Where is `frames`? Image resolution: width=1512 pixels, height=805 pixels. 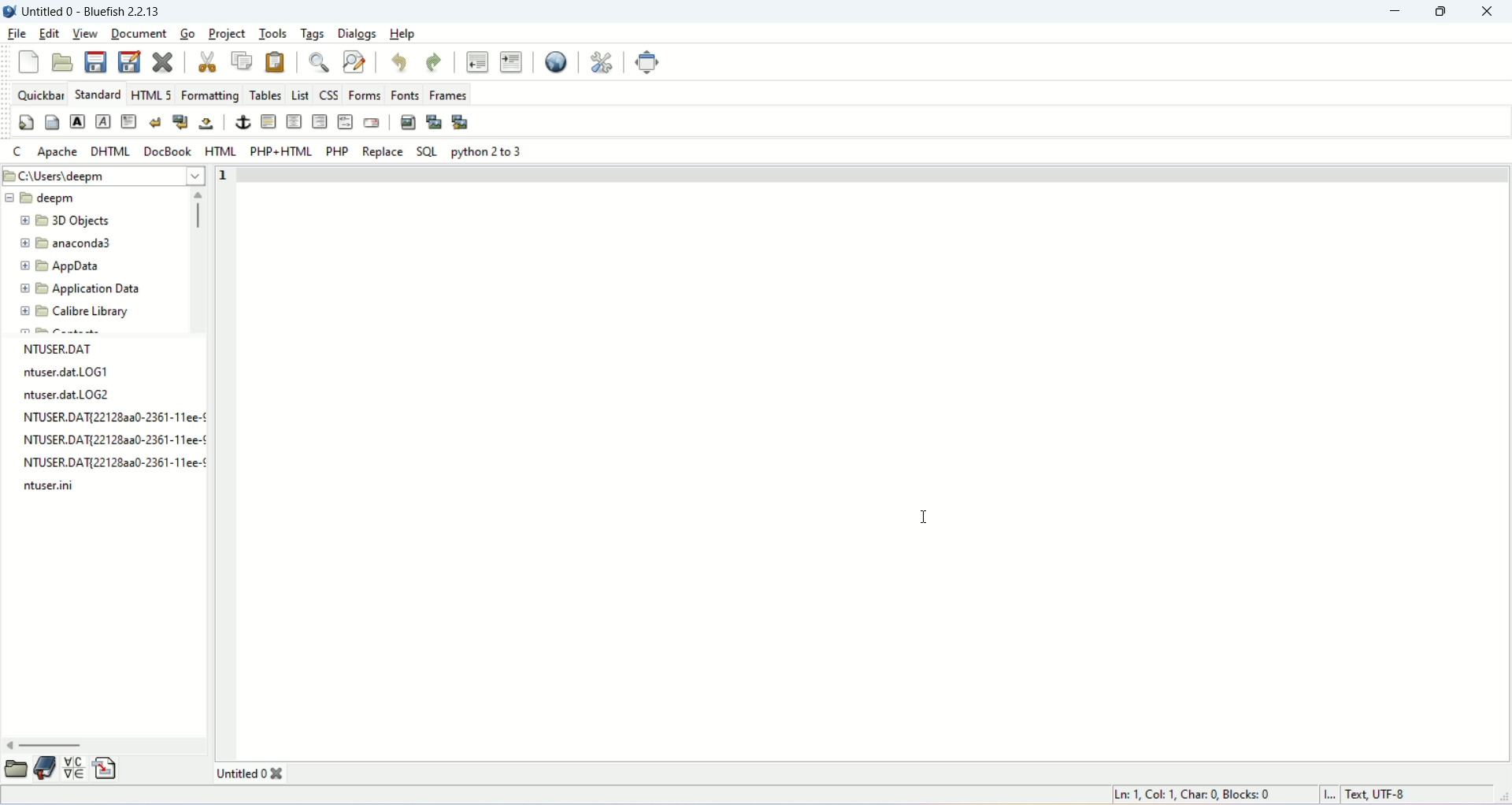 frames is located at coordinates (447, 95).